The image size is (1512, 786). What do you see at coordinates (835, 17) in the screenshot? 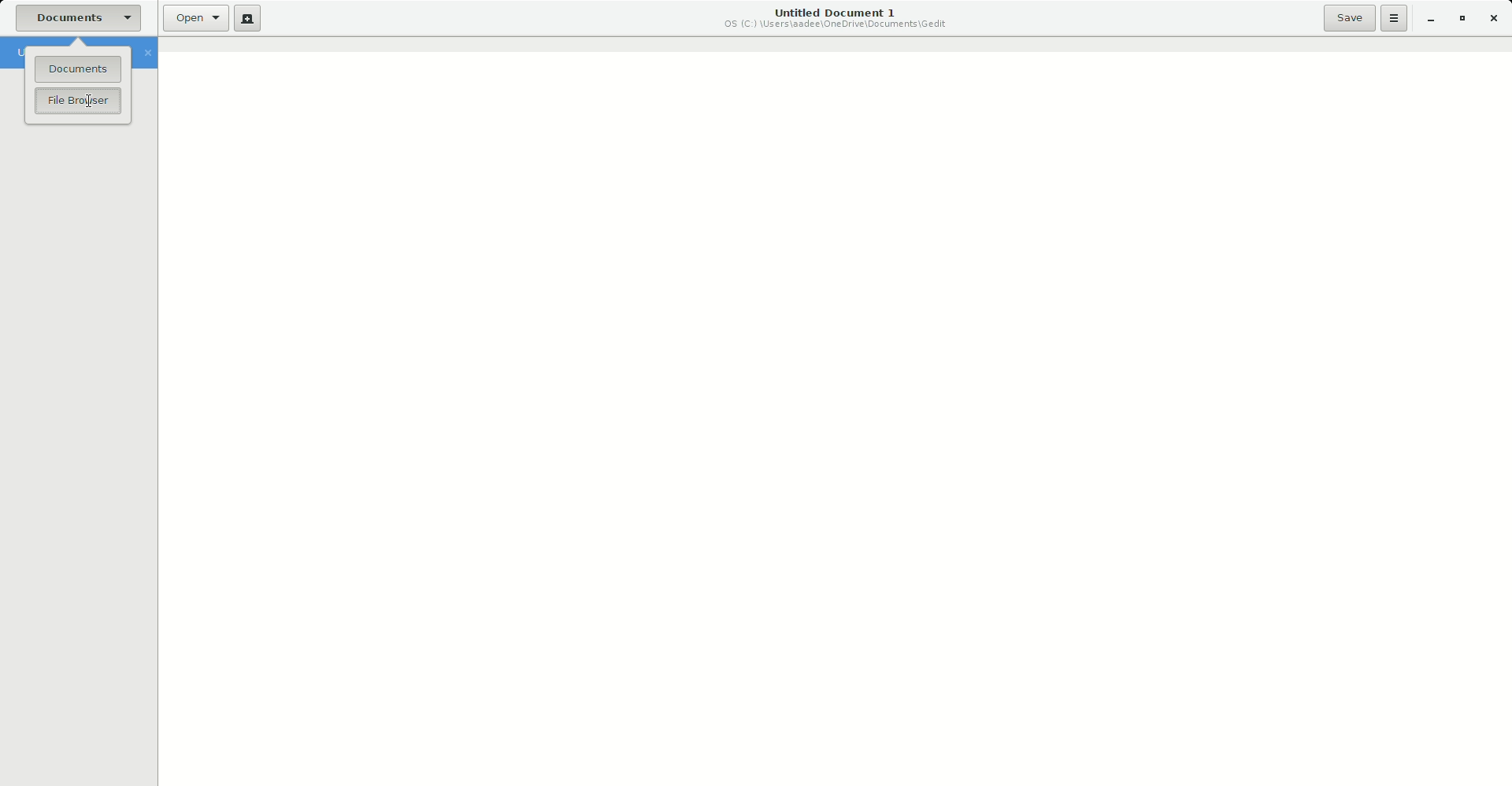
I see `Untitled Document 1` at bounding box center [835, 17].